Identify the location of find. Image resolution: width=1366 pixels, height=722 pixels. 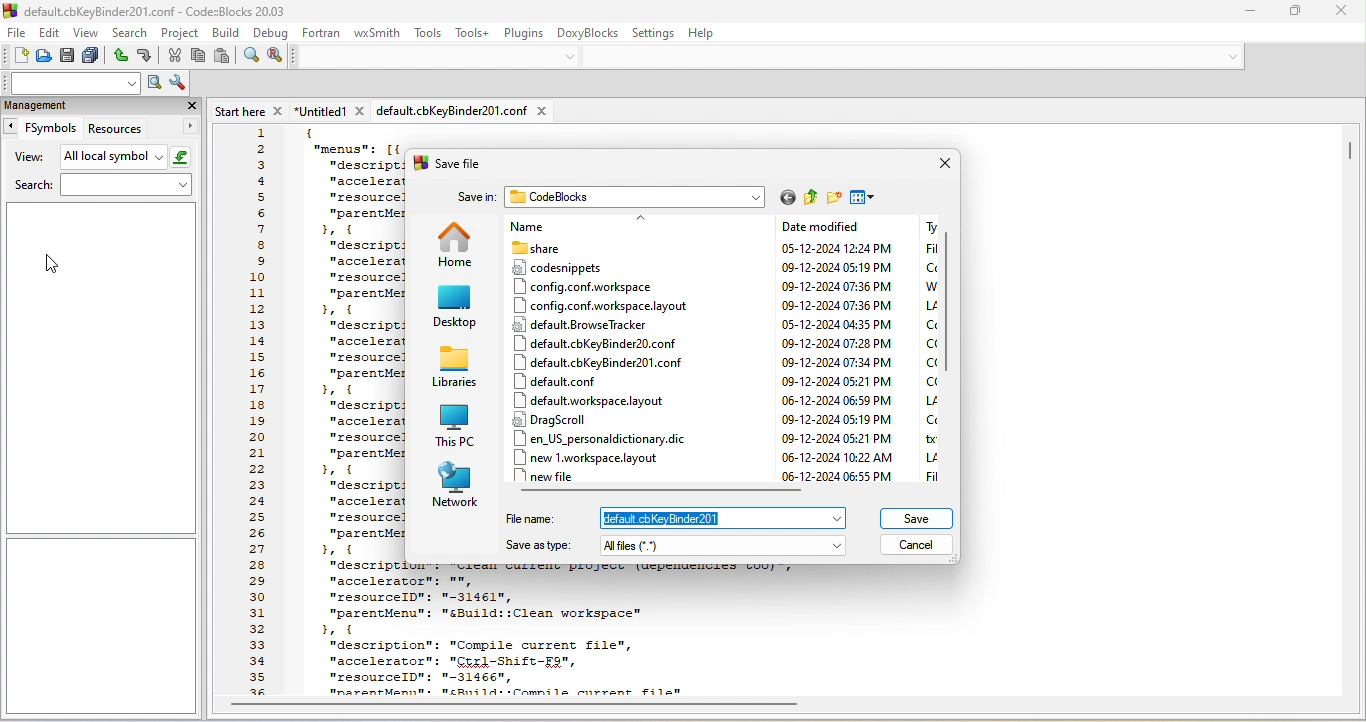
(250, 56).